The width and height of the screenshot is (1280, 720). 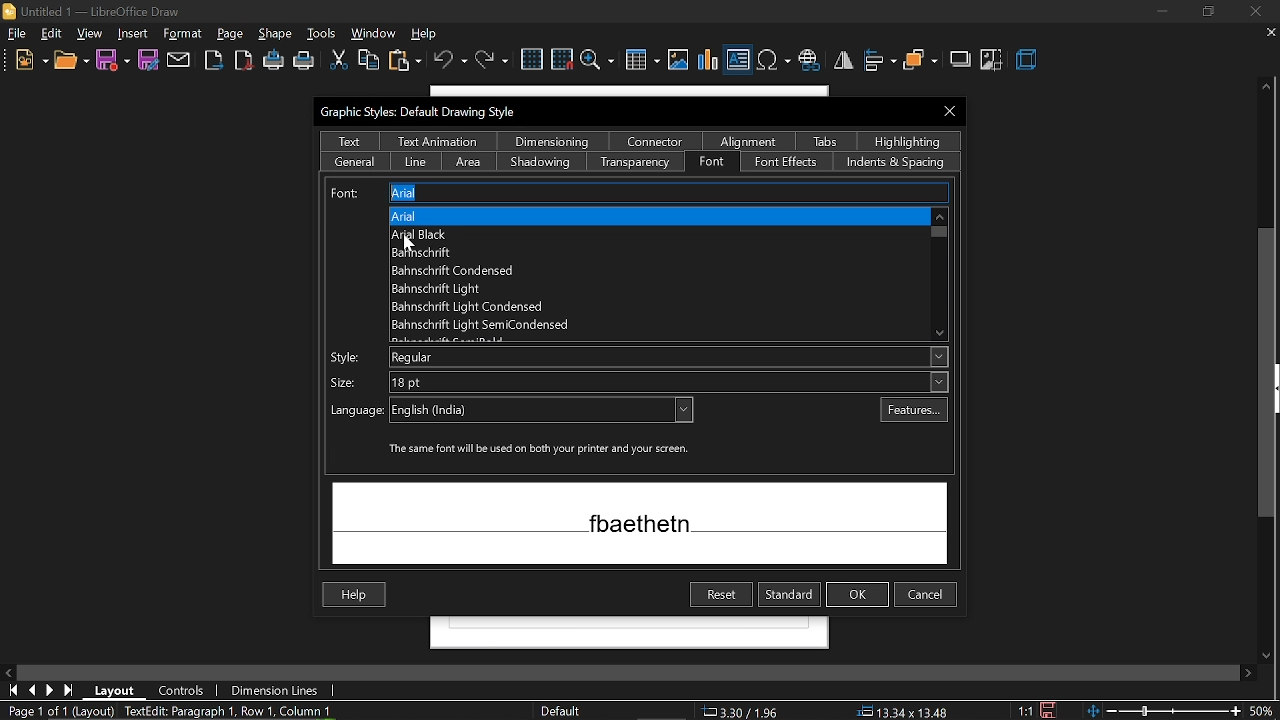 What do you see at coordinates (640, 522) in the screenshot?
I see `preview` at bounding box center [640, 522].